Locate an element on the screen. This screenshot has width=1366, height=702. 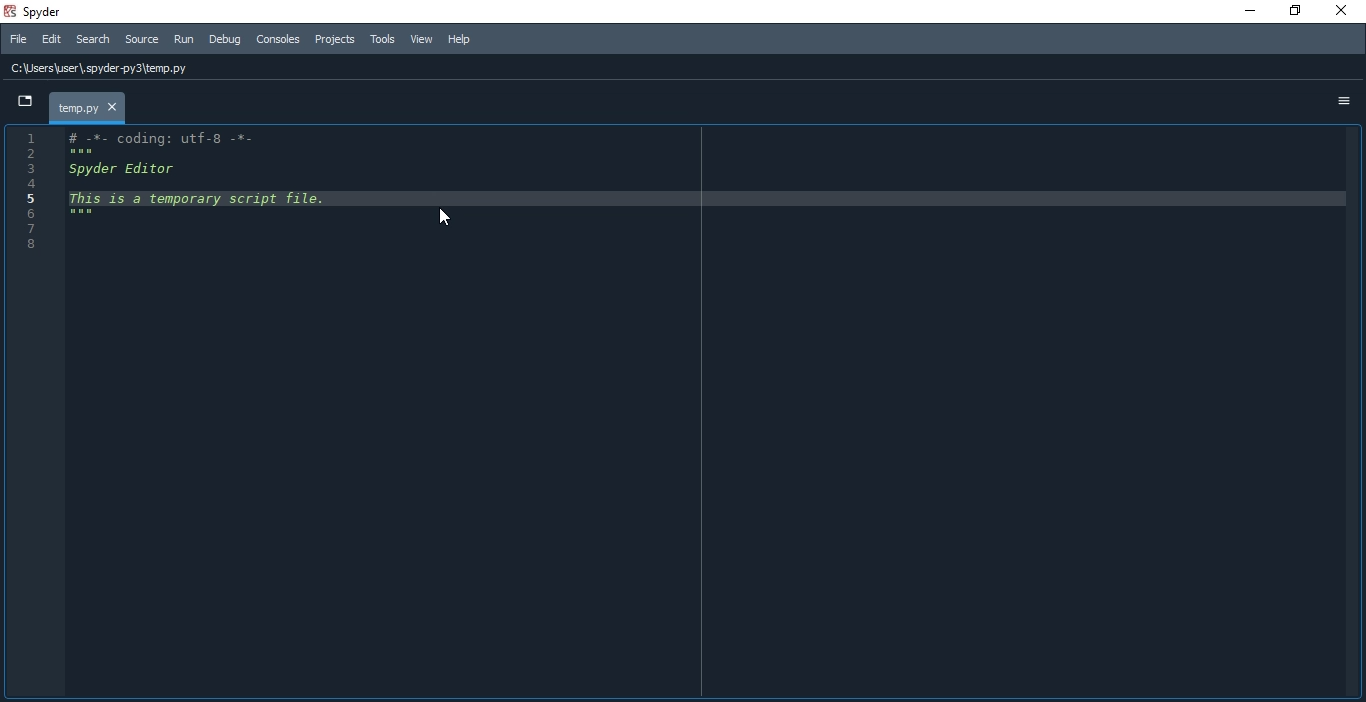
Run is located at coordinates (184, 39).